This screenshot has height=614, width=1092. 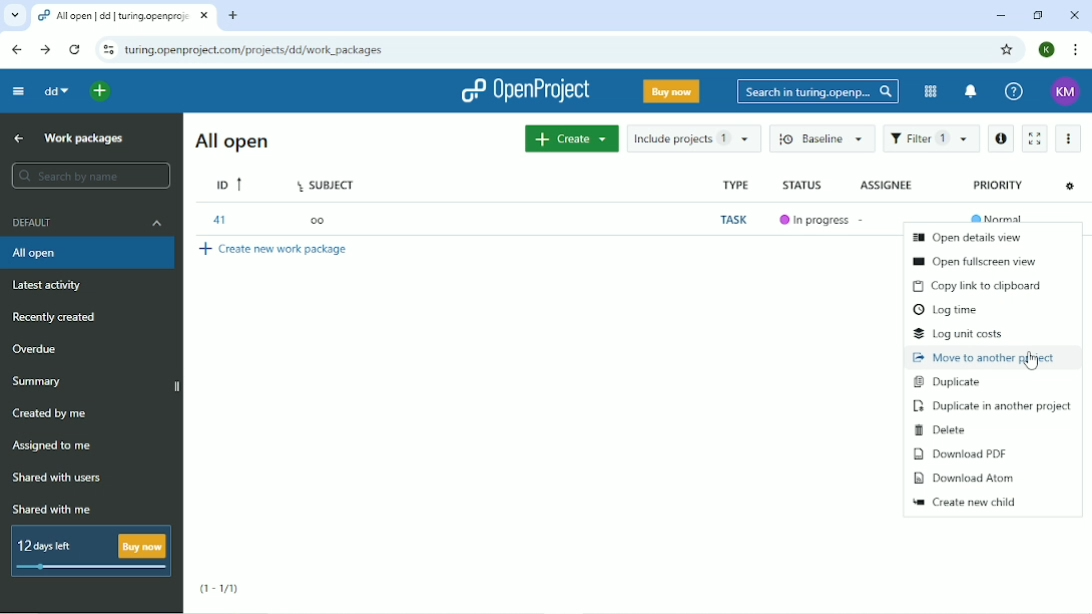 What do you see at coordinates (571, 139) in the screenshot?
I see `Create` at bounding box center [571, 139].